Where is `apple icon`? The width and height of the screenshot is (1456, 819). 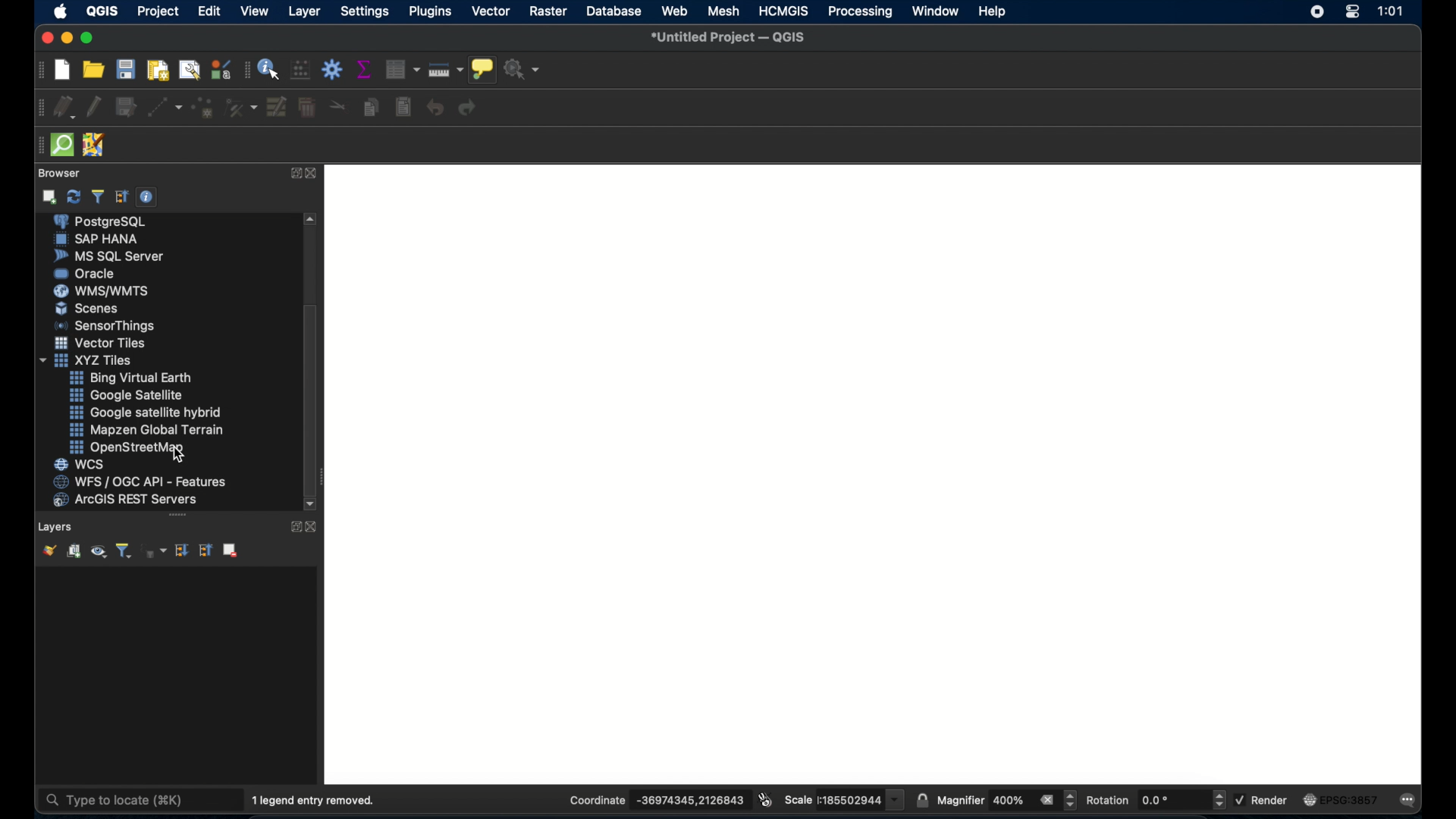 apple icon is located at coordinates (59, 11).